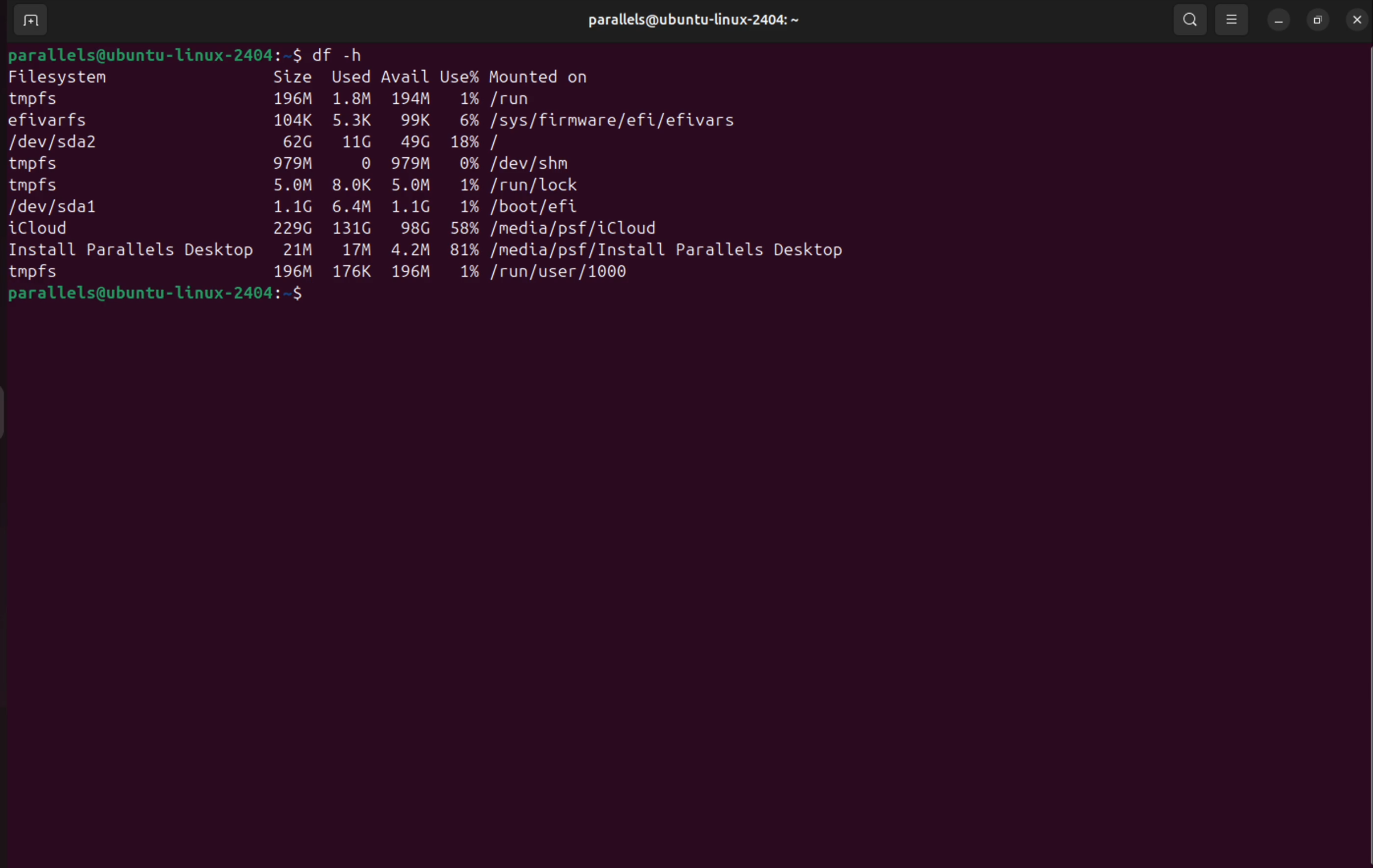 The height and width of the screenshot is (868, 1373). I want to click on 1.8M, so click(354, 99).